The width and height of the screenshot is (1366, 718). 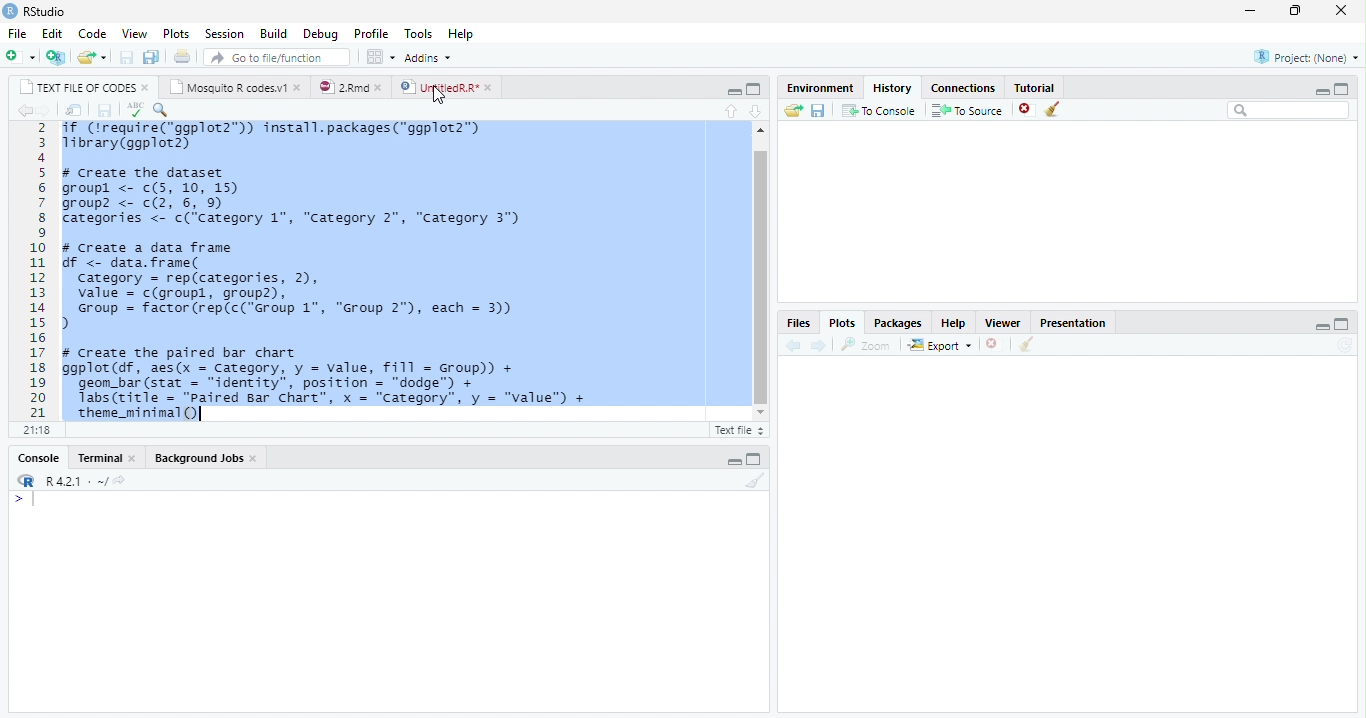 I want to click on open an existing file, so click(x=91, y=56).